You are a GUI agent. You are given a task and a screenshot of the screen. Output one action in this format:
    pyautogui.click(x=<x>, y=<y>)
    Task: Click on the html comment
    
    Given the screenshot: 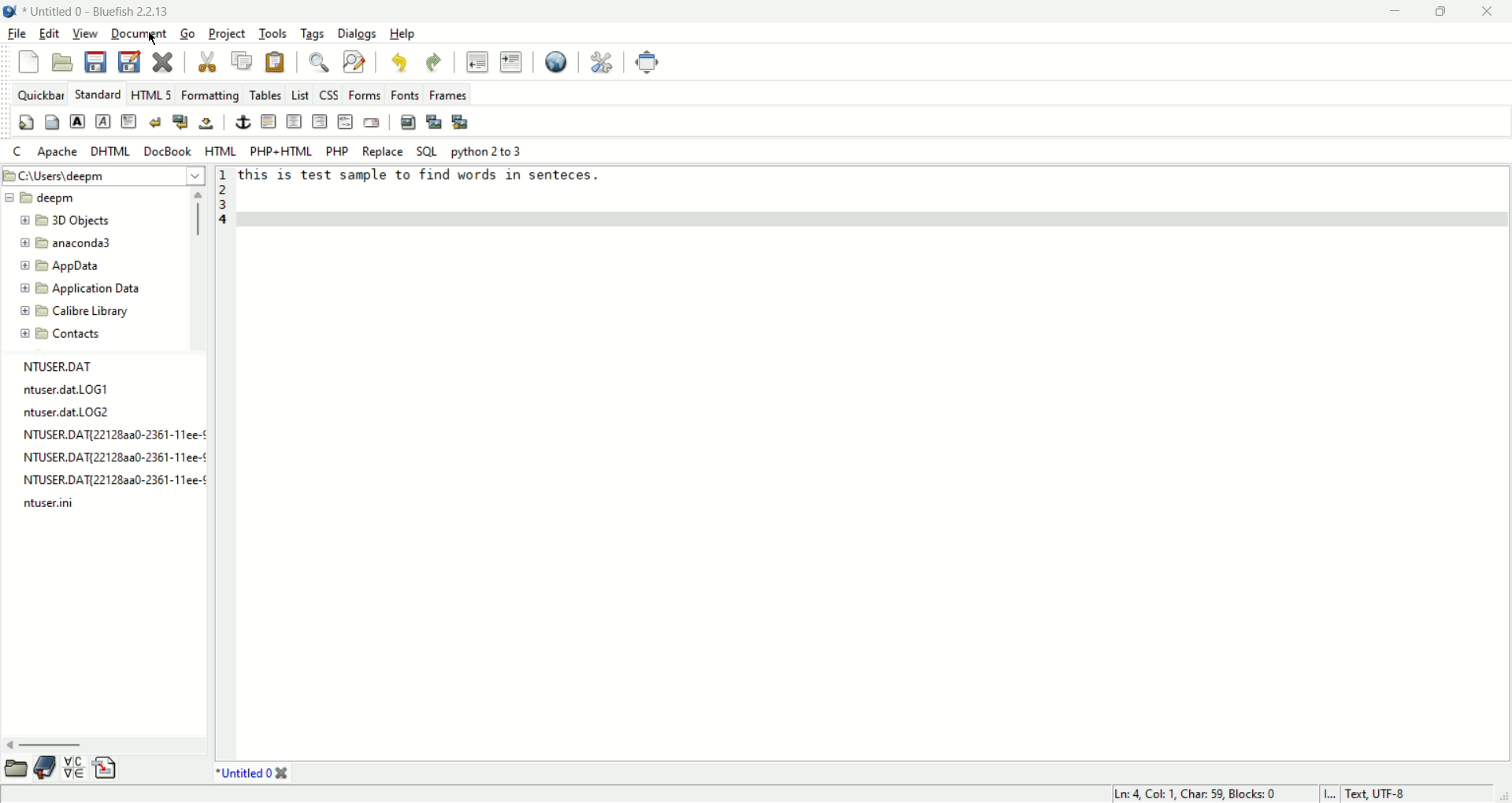 What is the action you would take?
    pyautogui.click(x=346, y=122)
    